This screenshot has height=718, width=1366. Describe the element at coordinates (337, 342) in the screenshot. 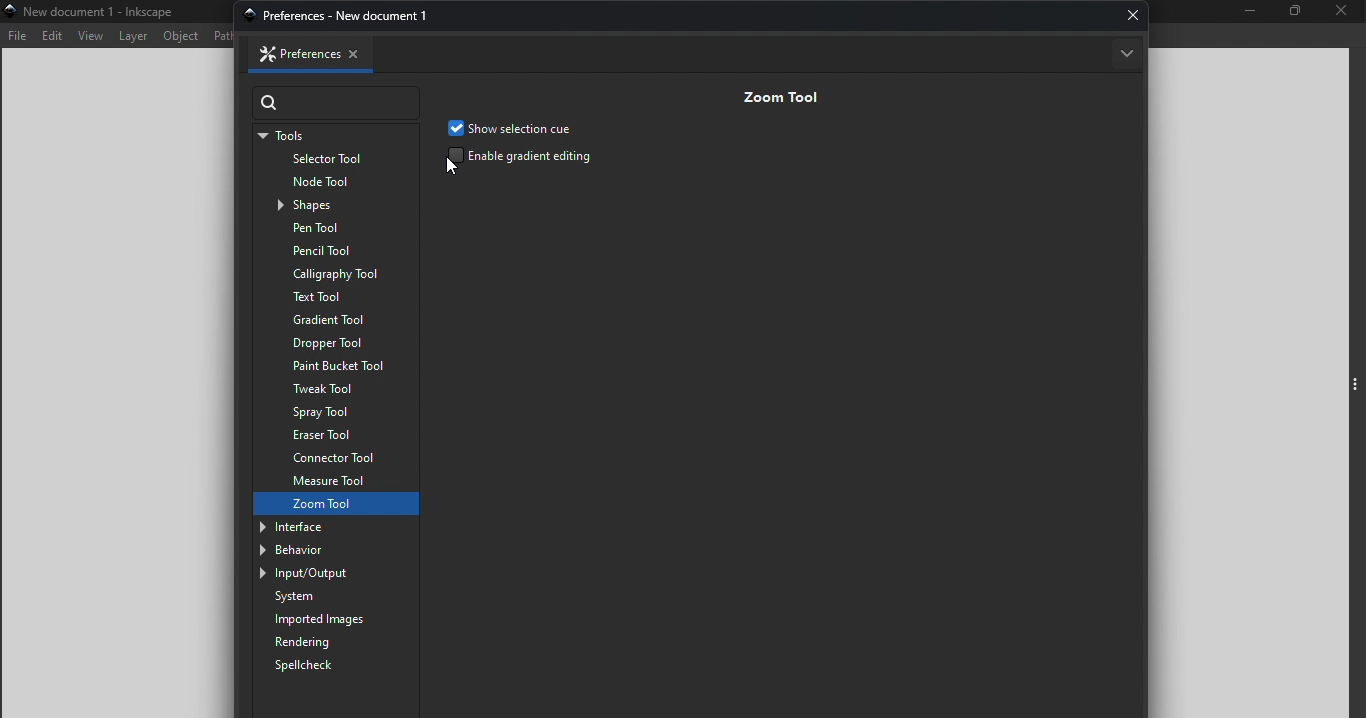

I see `Dropper tool` at that location.